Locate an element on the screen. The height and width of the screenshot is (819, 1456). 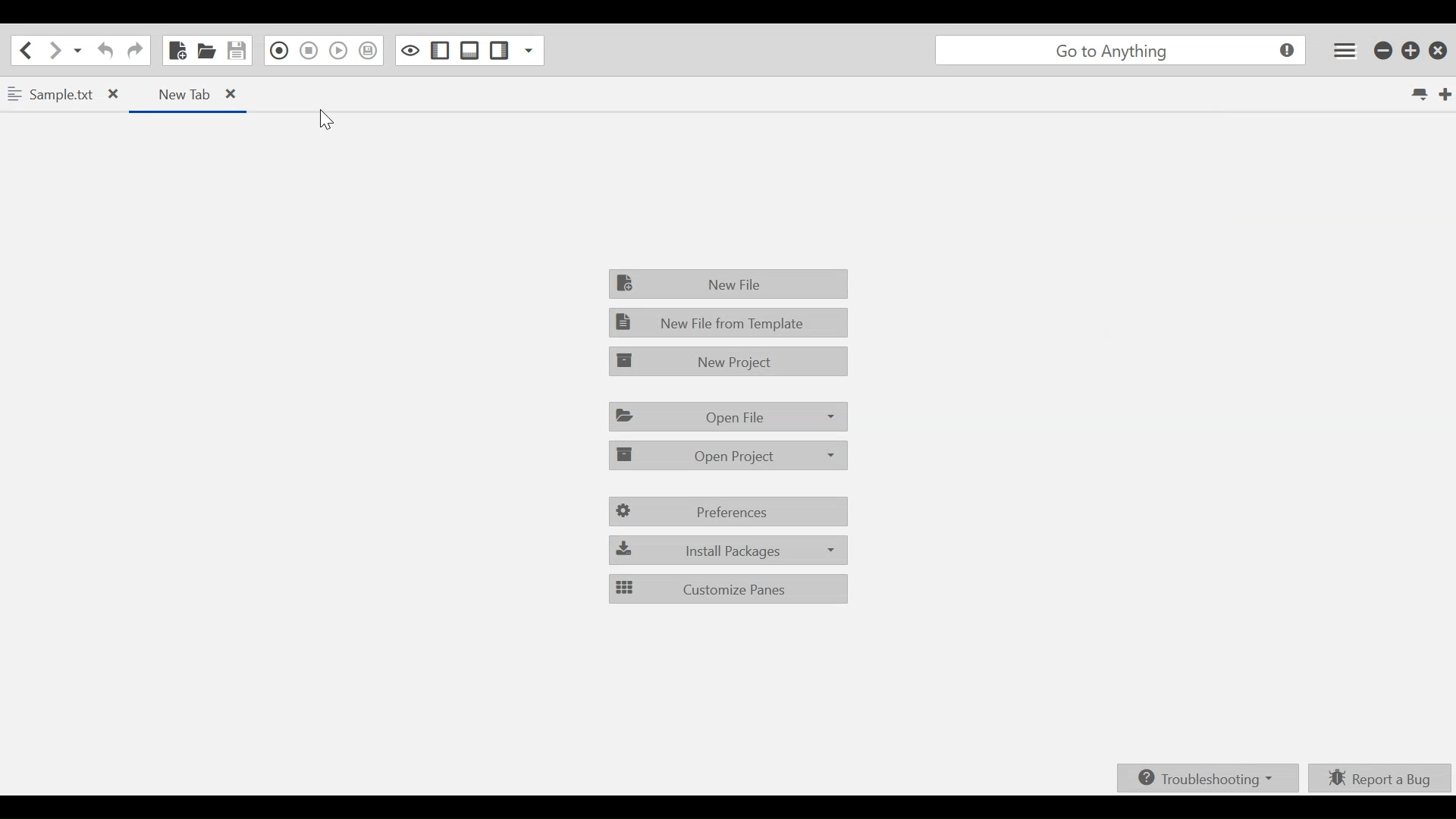
Show/Hide Bottom Pane is located at coordinates (470, 51).